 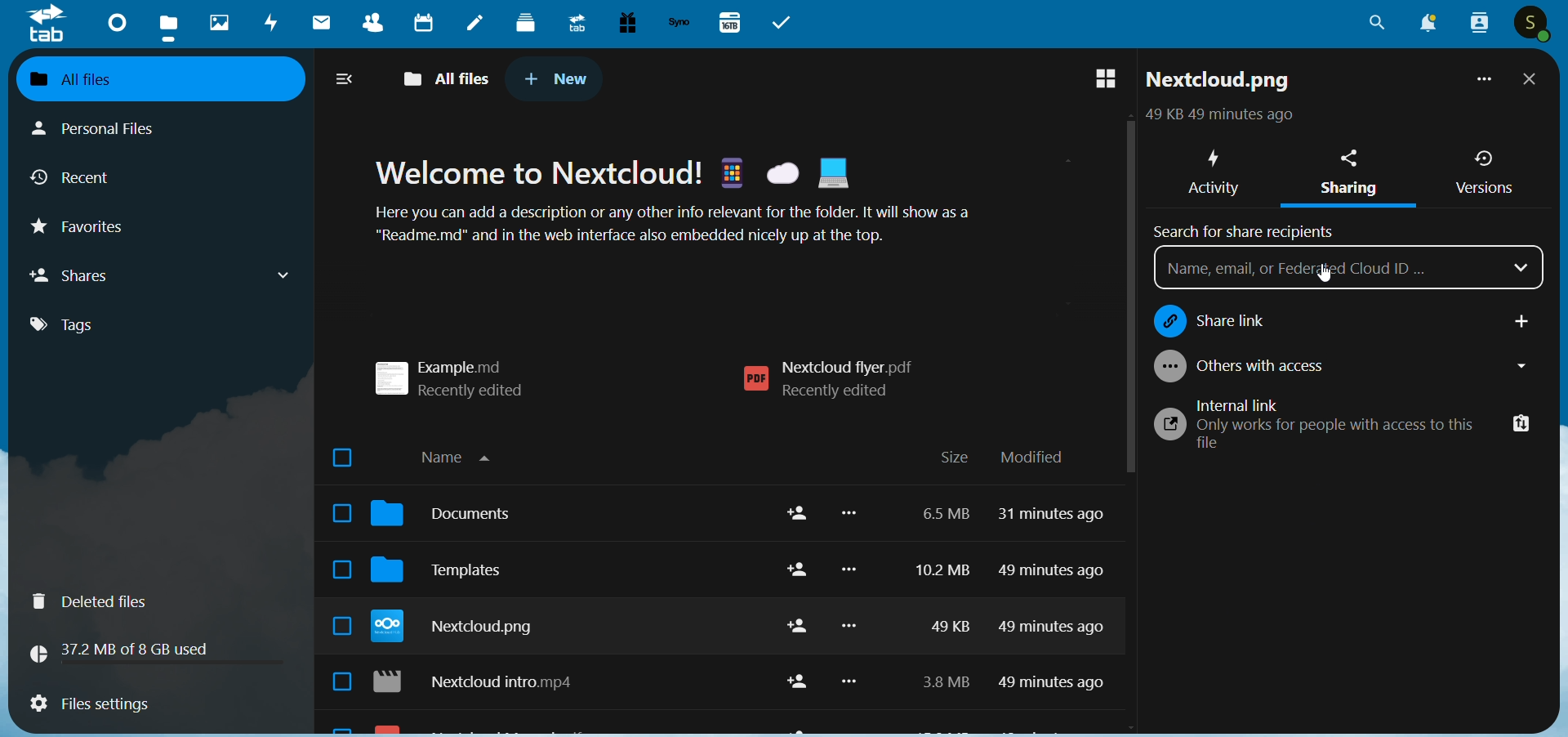 I want to click on synology, so click(x=679, y=23).